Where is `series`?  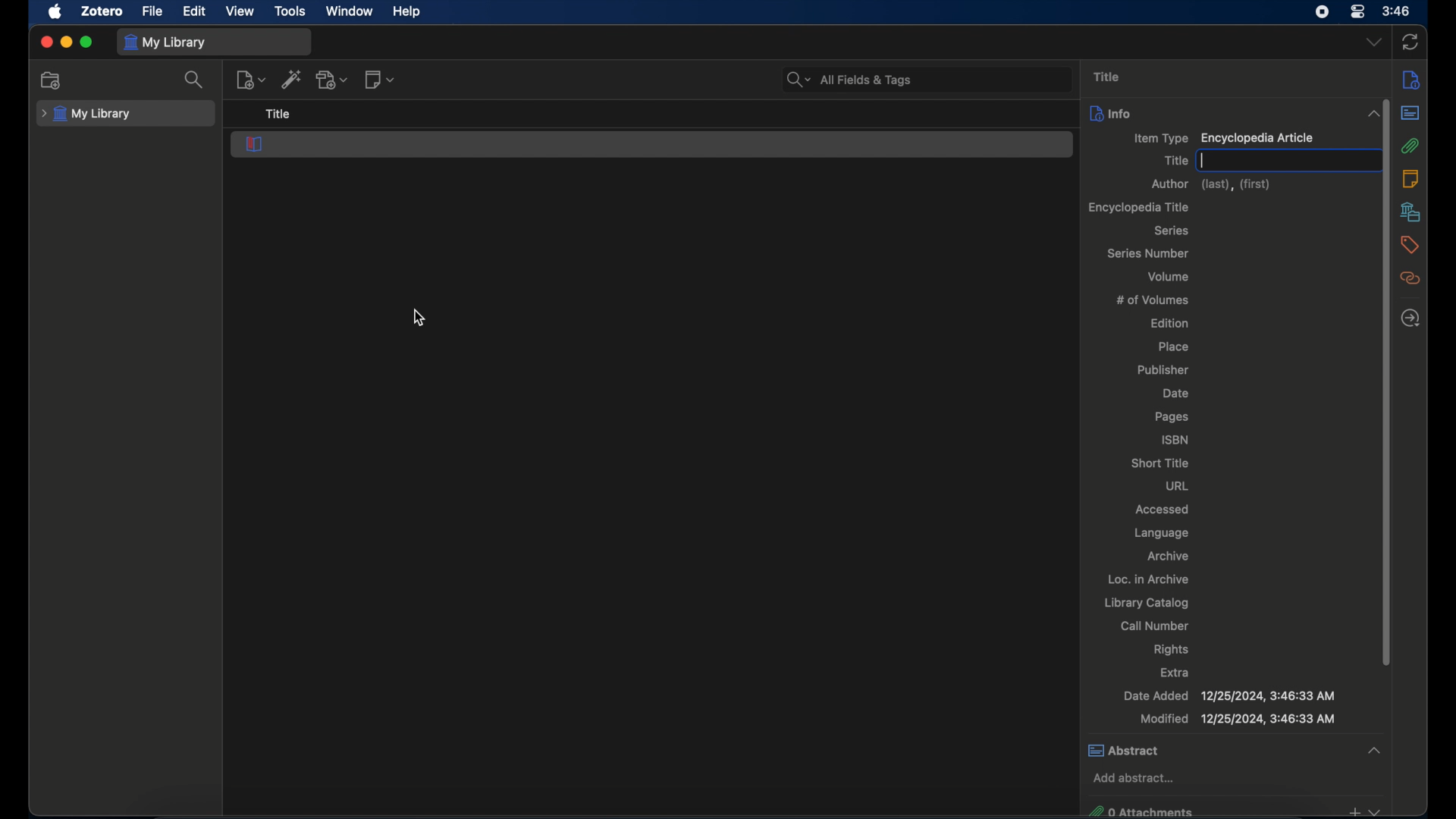 series is located at coordinates (1172, 231).